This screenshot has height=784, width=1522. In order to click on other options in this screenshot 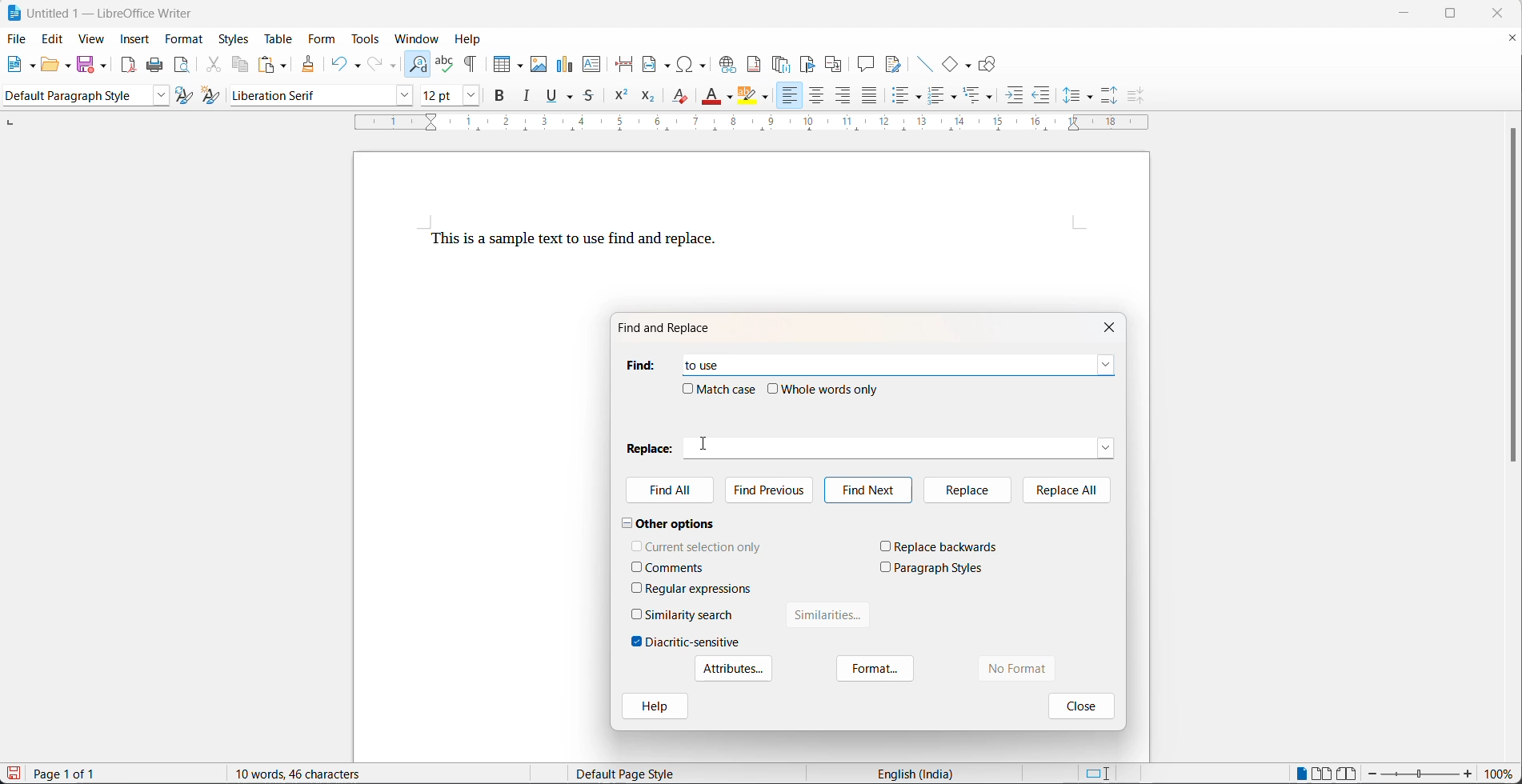, I will do `click(669, 522)`.